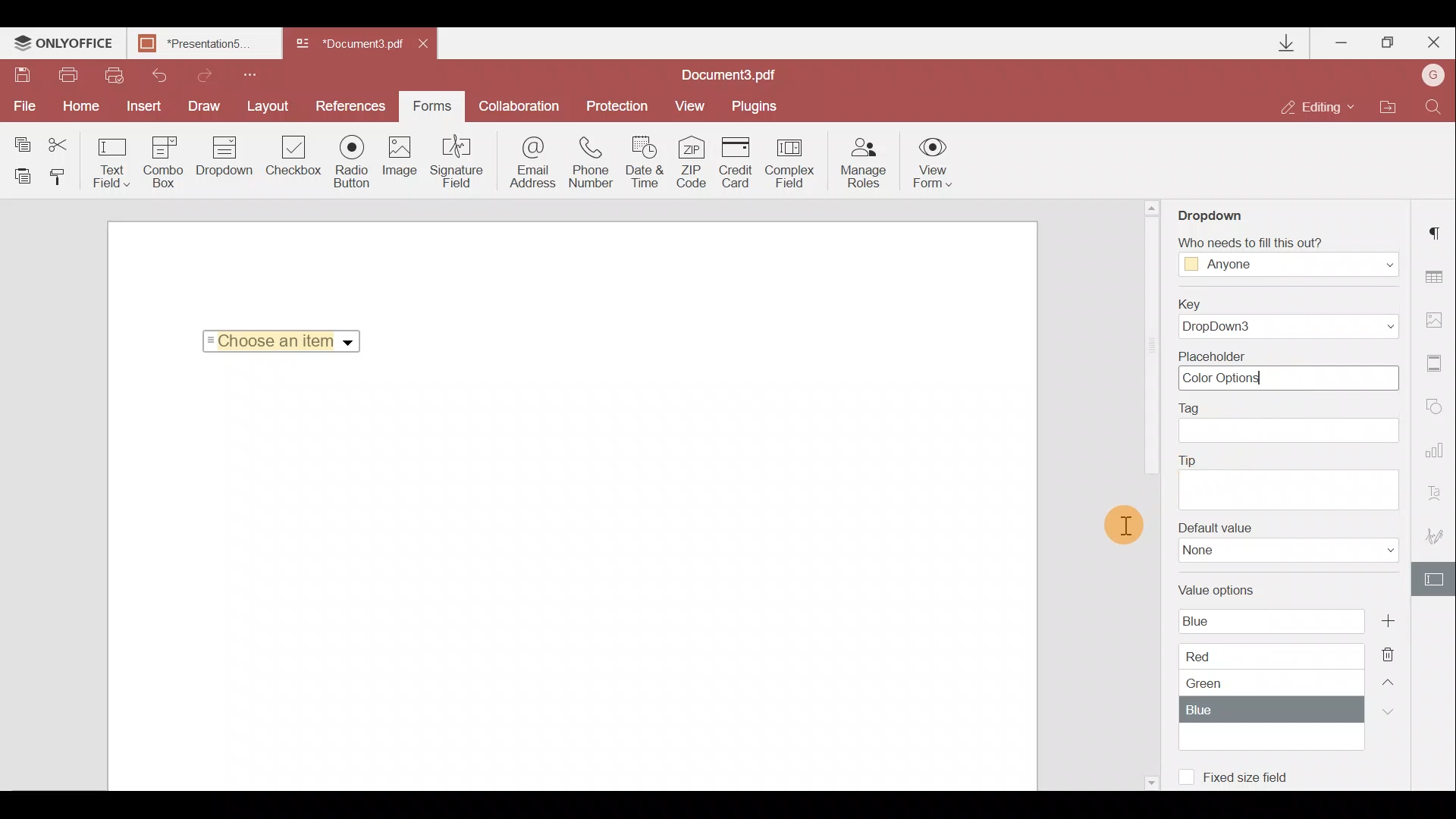 Image resolution: width=1456 pixels, height=819 pixels. Describe the element at coordinates (352, 106) in the screenshot. I see `Preferences` at that location.